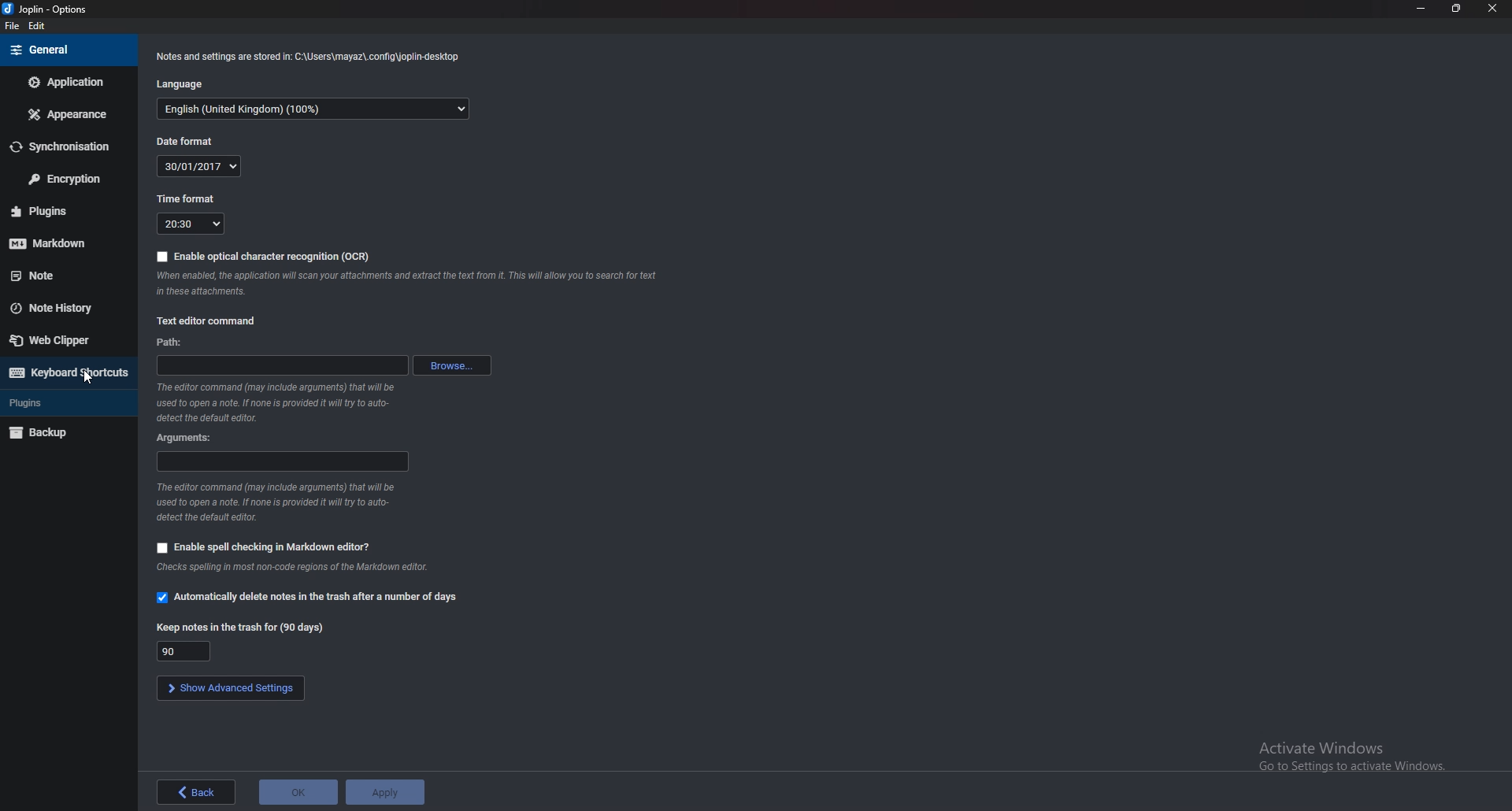 The height and width of the screenshot is (811, 1512). I want to click on Plugins, so click(62, 402).